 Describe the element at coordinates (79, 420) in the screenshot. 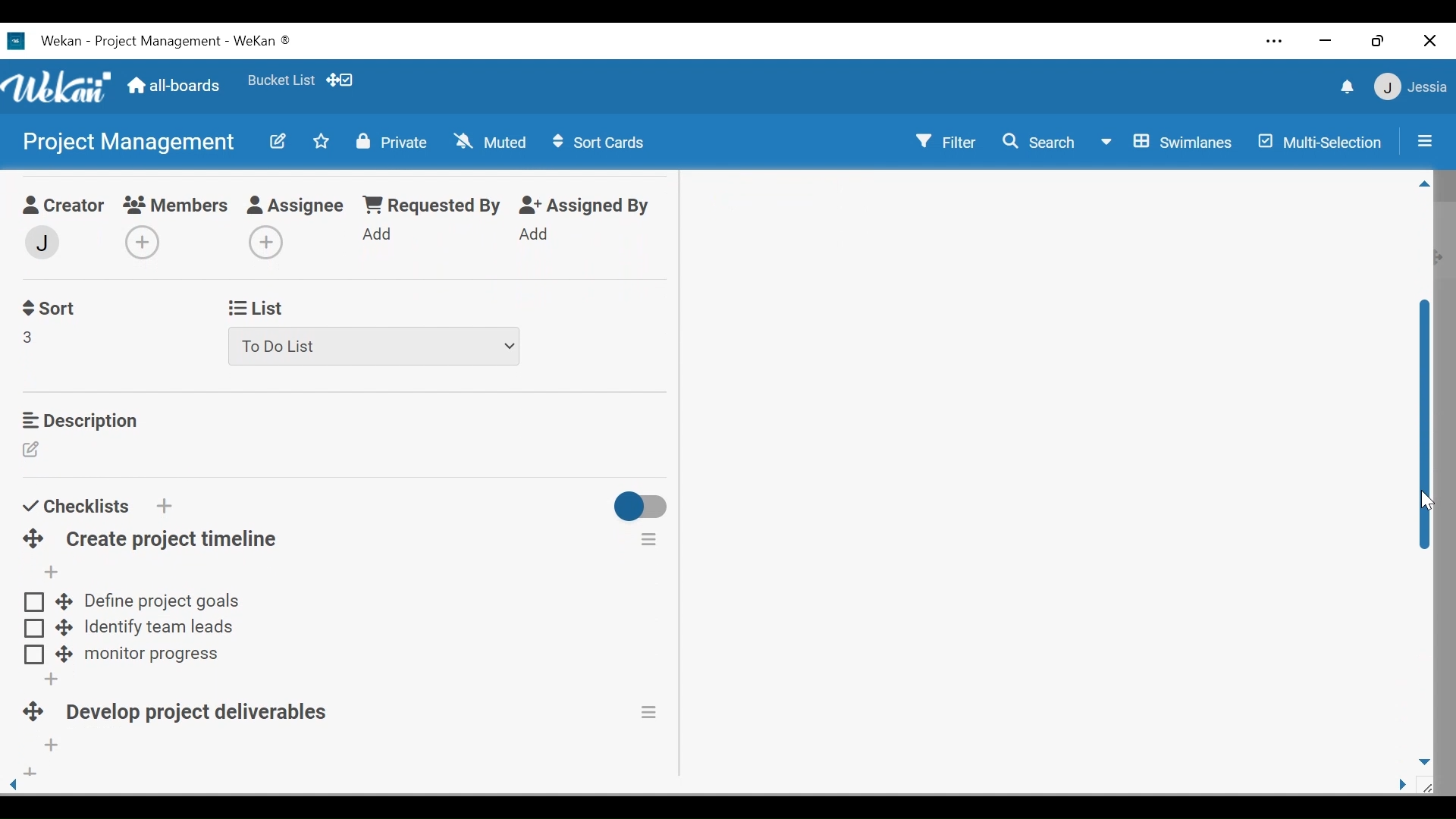

I see `Description` at that location.